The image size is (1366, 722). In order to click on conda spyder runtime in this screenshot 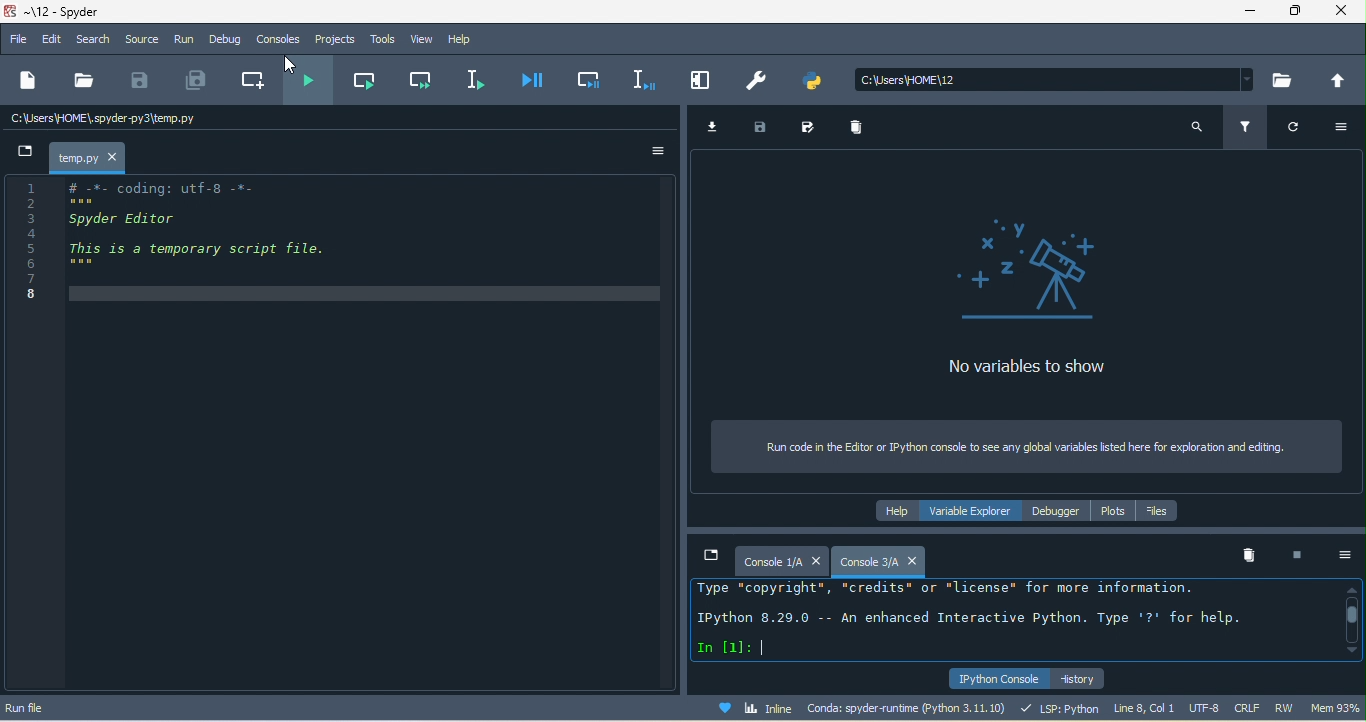, I will do `click(910, 707)`.